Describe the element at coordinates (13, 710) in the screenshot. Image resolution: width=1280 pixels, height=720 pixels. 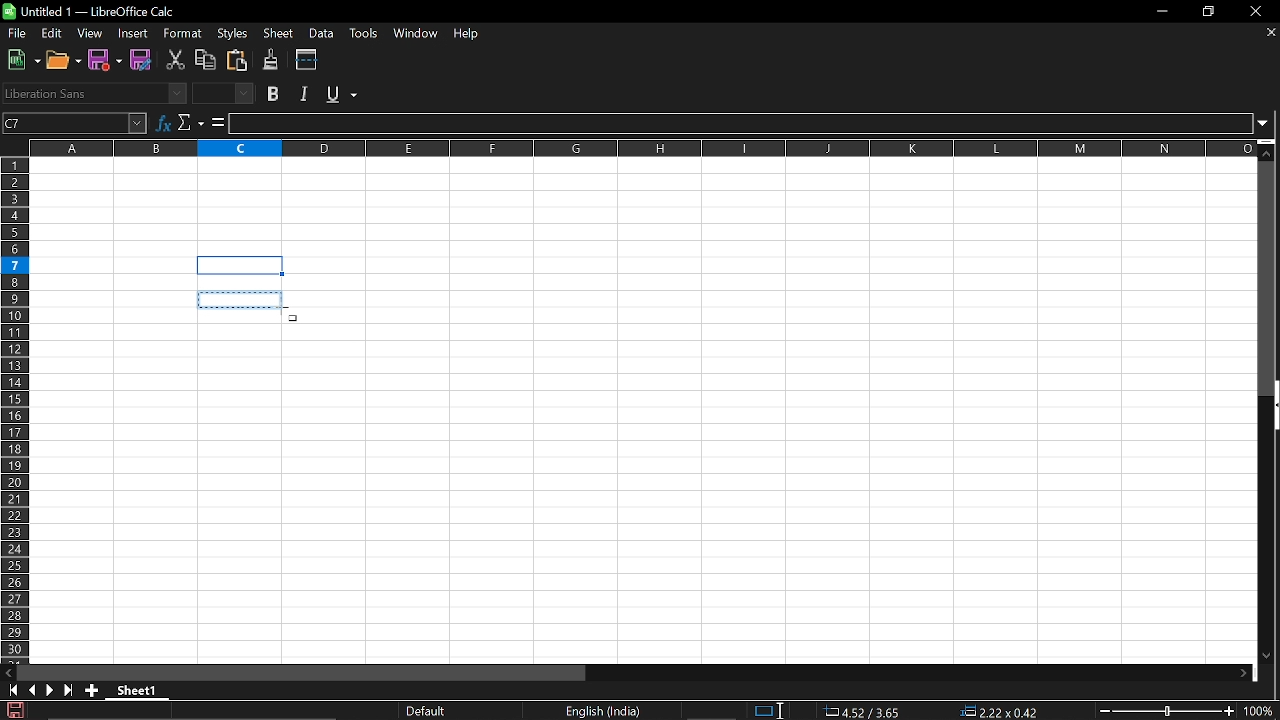
I see `Save` at that location.